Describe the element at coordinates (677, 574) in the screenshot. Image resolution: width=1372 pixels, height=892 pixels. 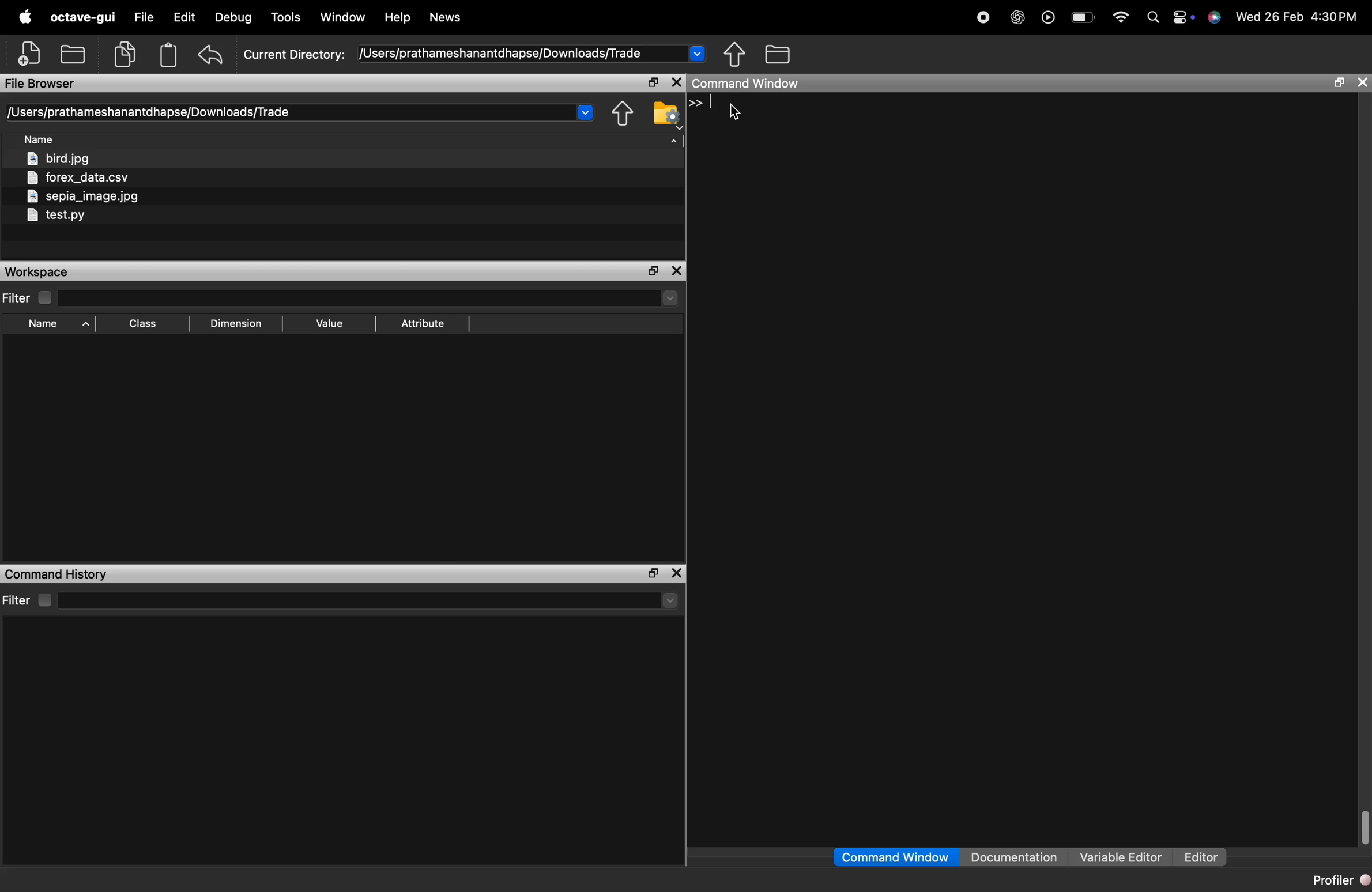
I see `close` at that location.